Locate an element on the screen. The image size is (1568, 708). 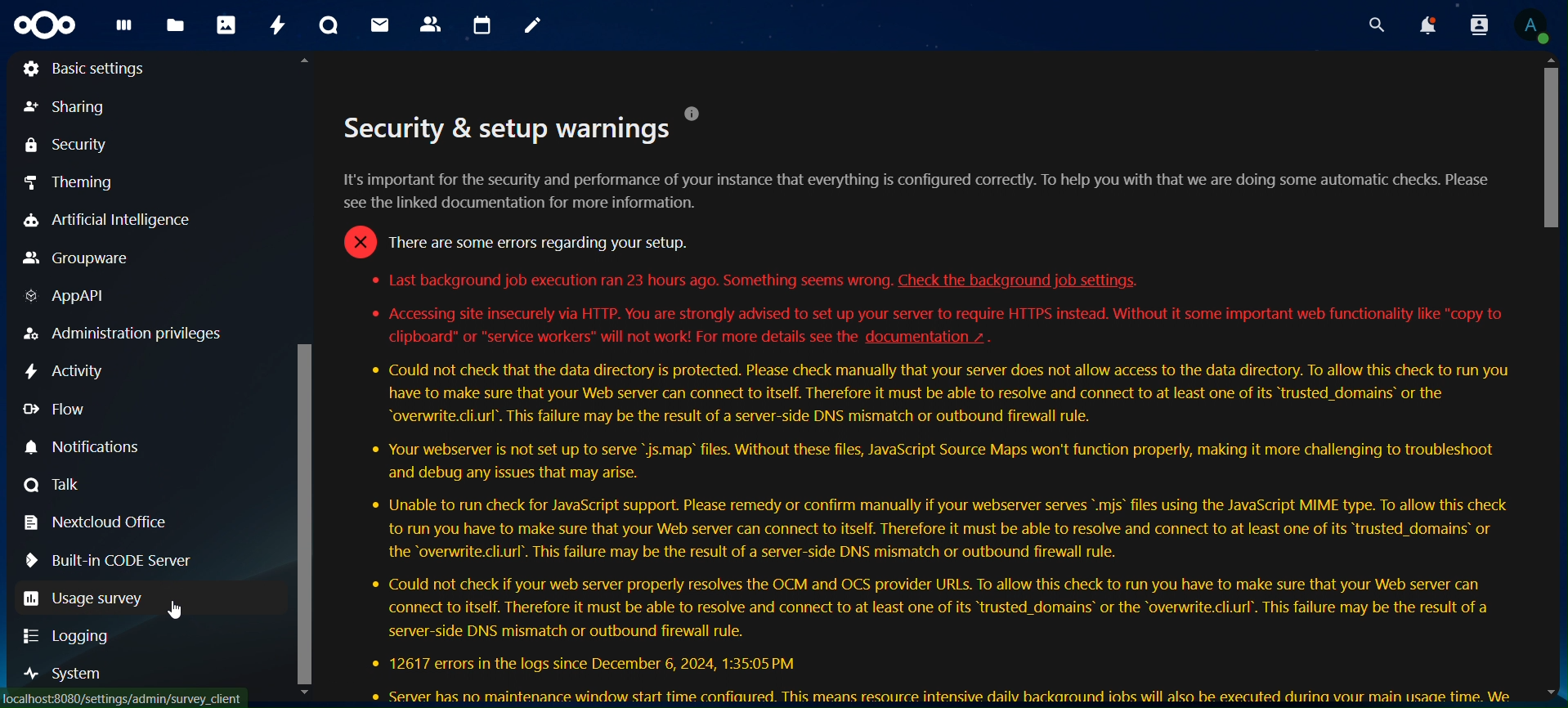
security is located at coordinates (65, 146).